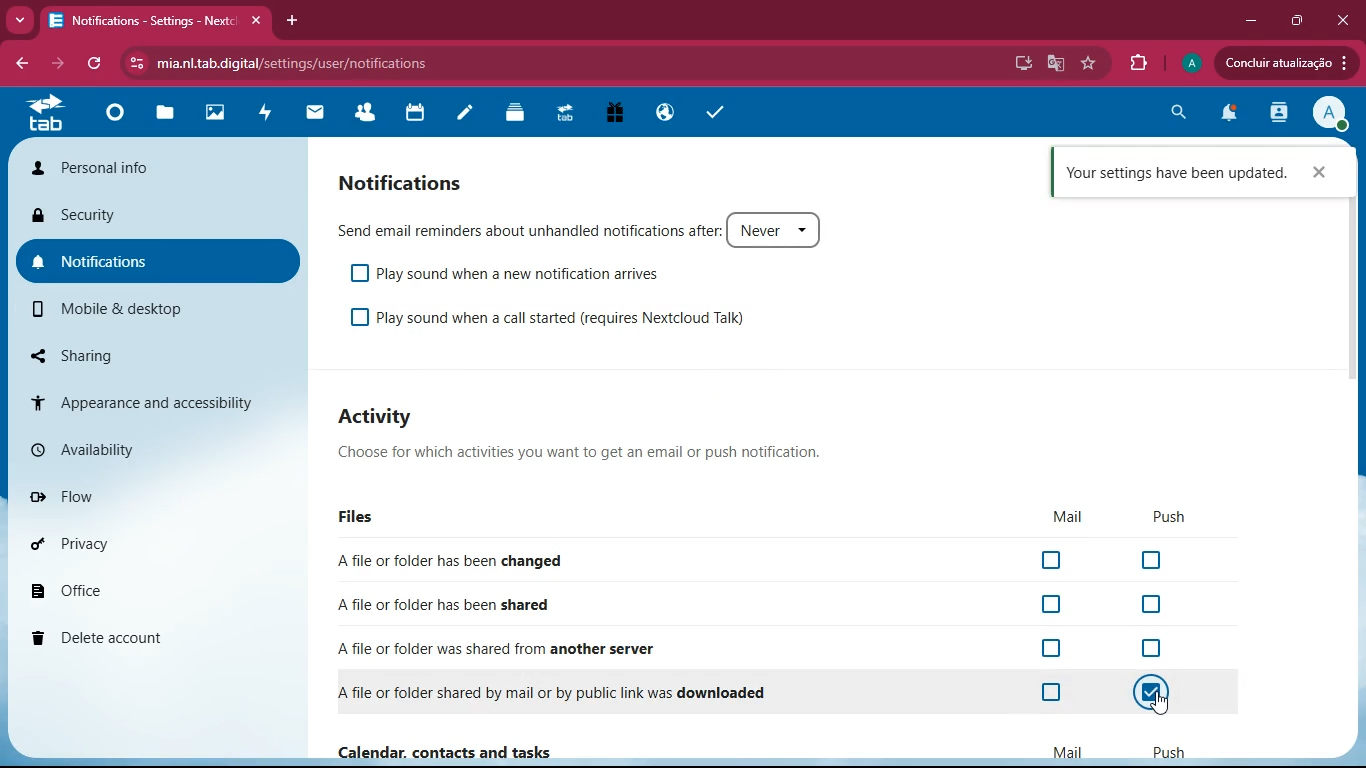 The width and height of the screenshot is (1366, 768). What do you see at coordinates (132, 398) in the screenshot?
I see `appearance and accessibility` at bounding box center [132, 398].